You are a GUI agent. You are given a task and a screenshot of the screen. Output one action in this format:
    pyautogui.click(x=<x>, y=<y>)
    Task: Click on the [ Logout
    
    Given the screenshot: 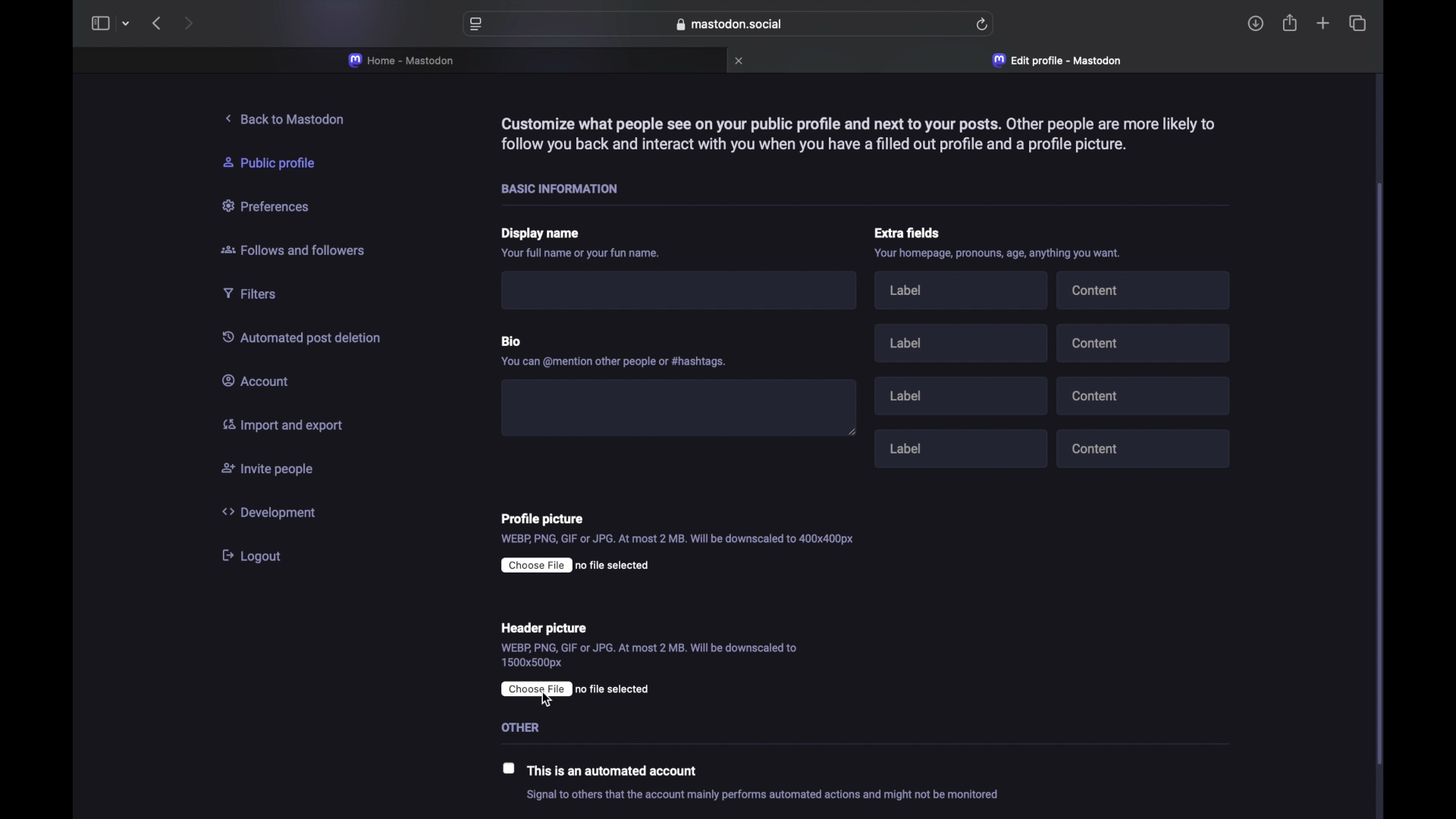 What is the action you would take?
    pyautogui.click(x=258, y=555)
    